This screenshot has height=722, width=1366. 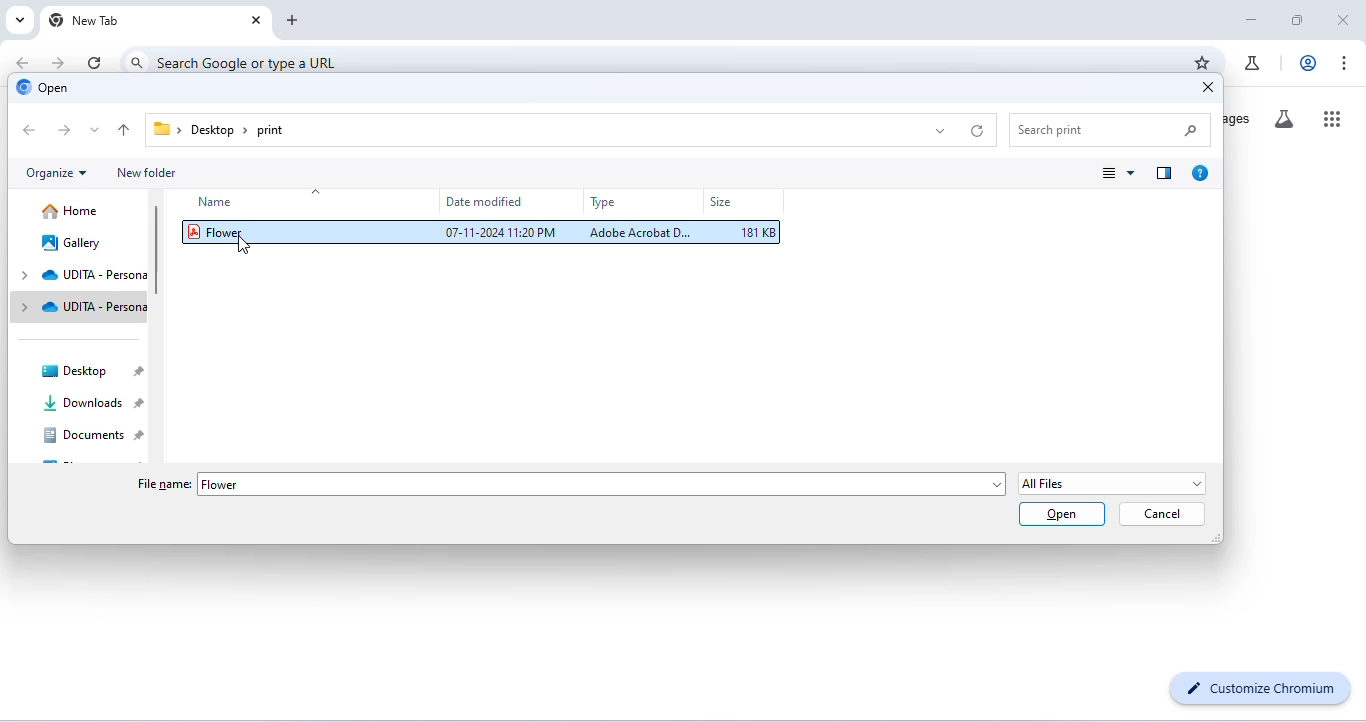 I want to click on google apps, so click(x=1331, y=119).